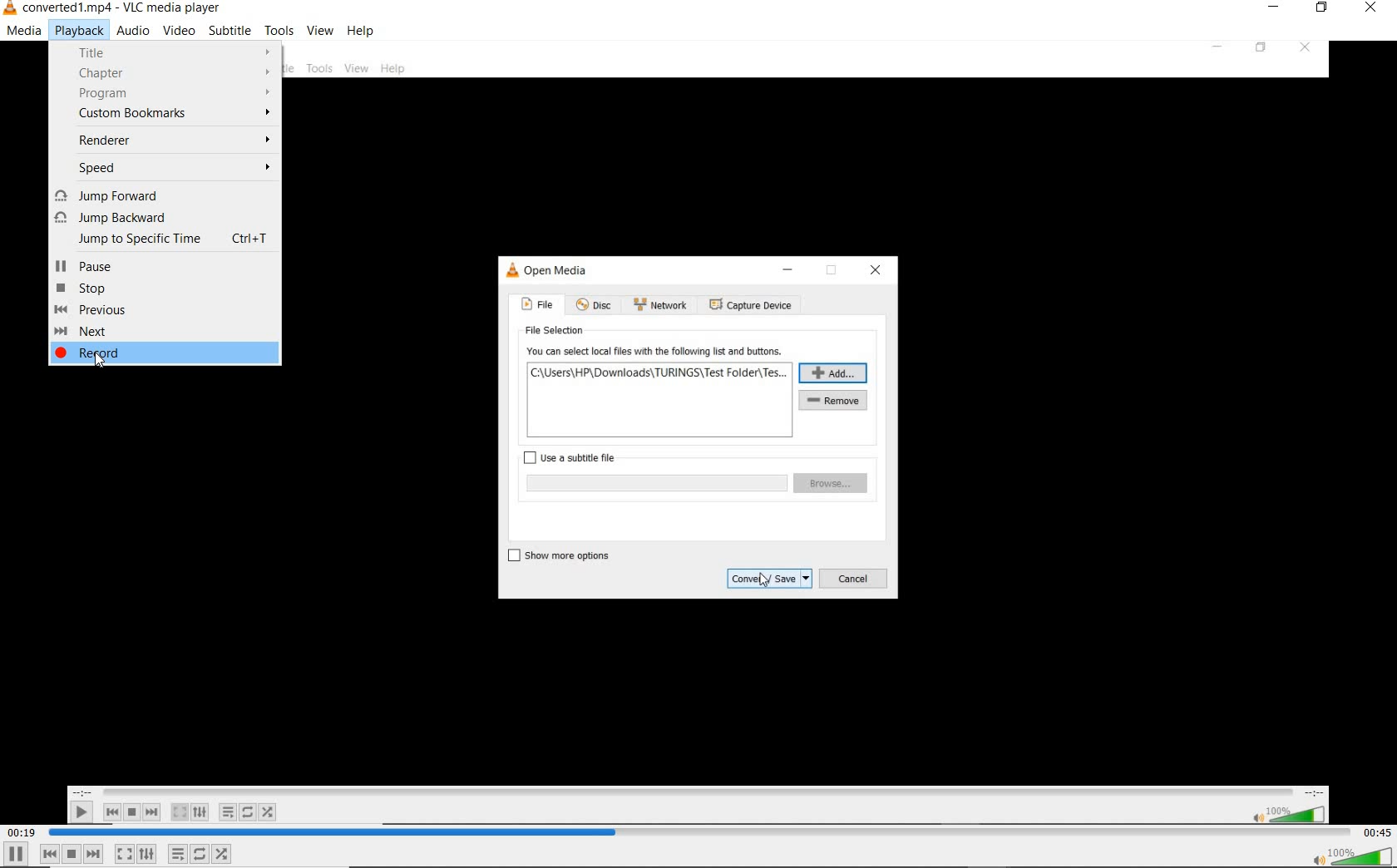  What do you see at coordinates (79, 30) in the screenshot?
I see `playback` at bounding box center [79, 30].